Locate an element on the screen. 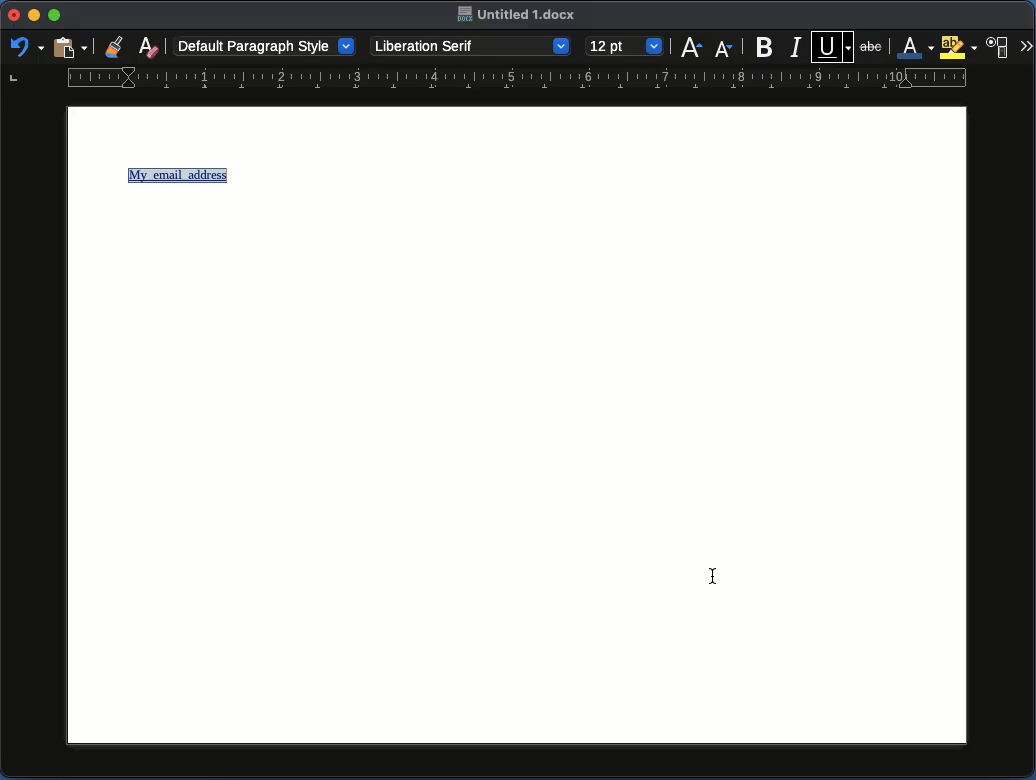 This screenshot has width=1036, height=780. Size increase is located at coordinates (691, 47).